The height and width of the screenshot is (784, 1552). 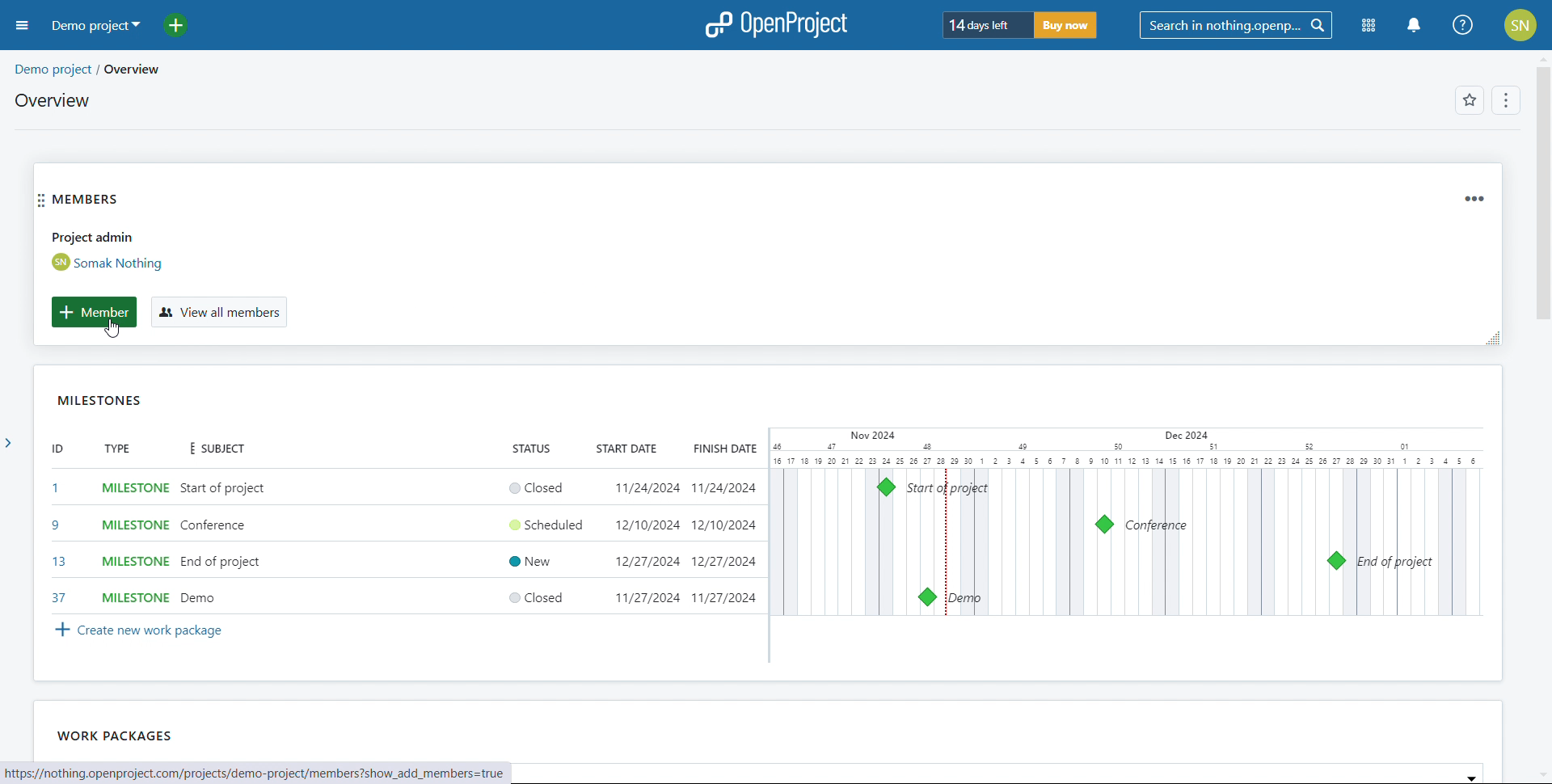 What do you see at coordinates (727, 600) in the screenshot?
I see `11/27/2024` at bounding box center [727, 600].